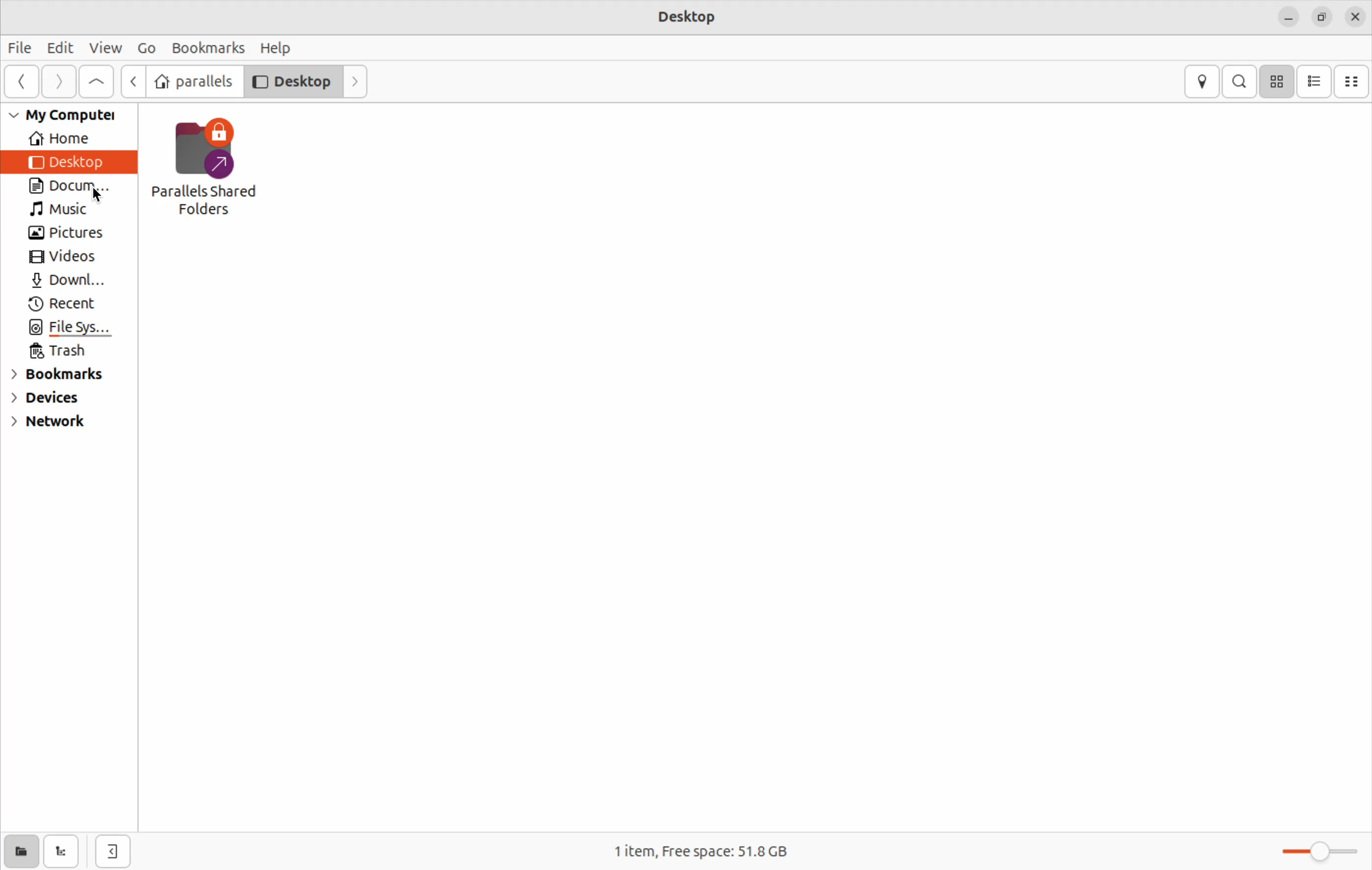 This screenshot has height=870, width=1372. I want to click on Desktop, so click(71, 162).